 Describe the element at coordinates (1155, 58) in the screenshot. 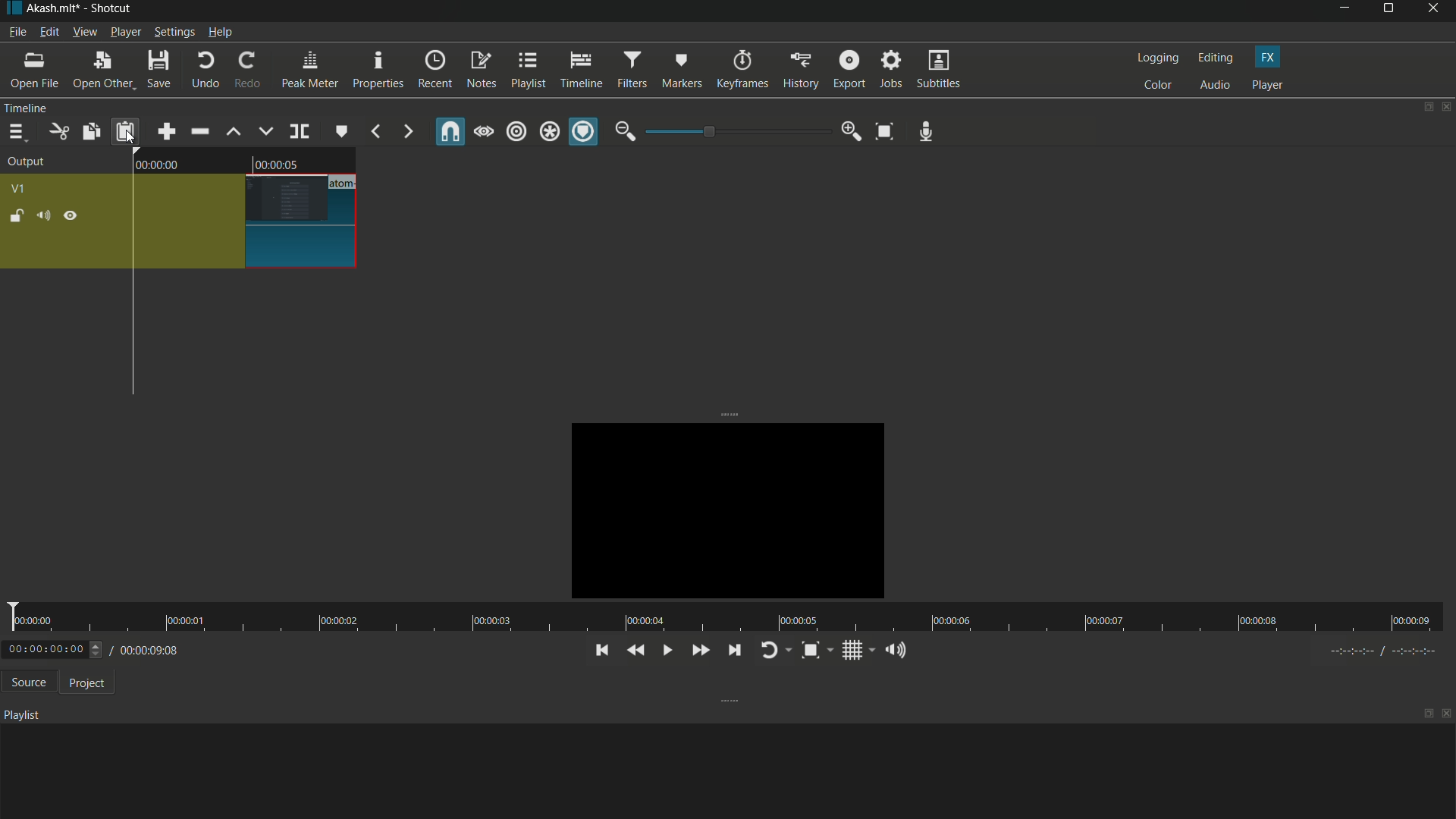

I see `logging` at that location.